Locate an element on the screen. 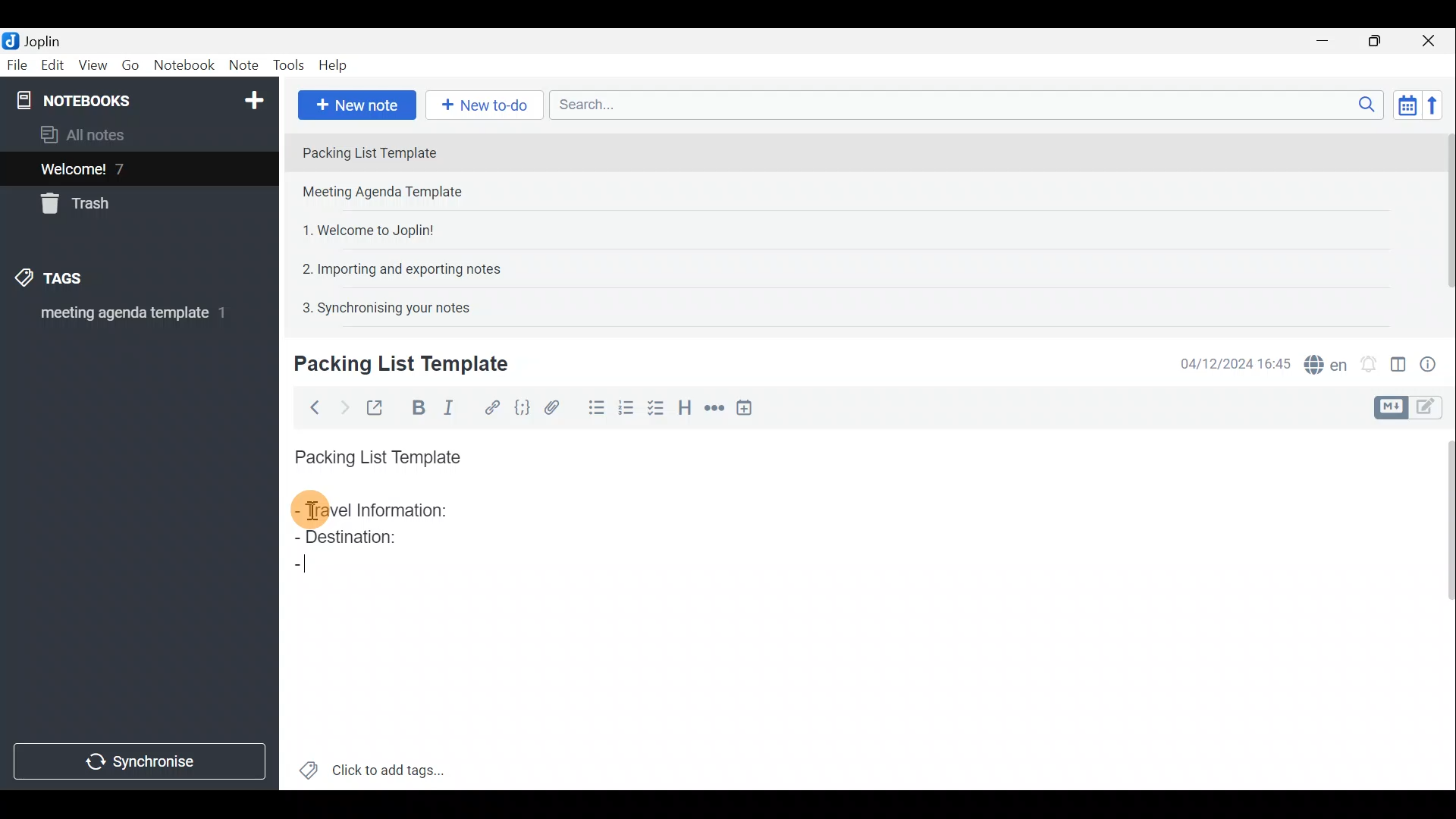 The image size is (1456, 819). Note is located at coordinates (243, 66).